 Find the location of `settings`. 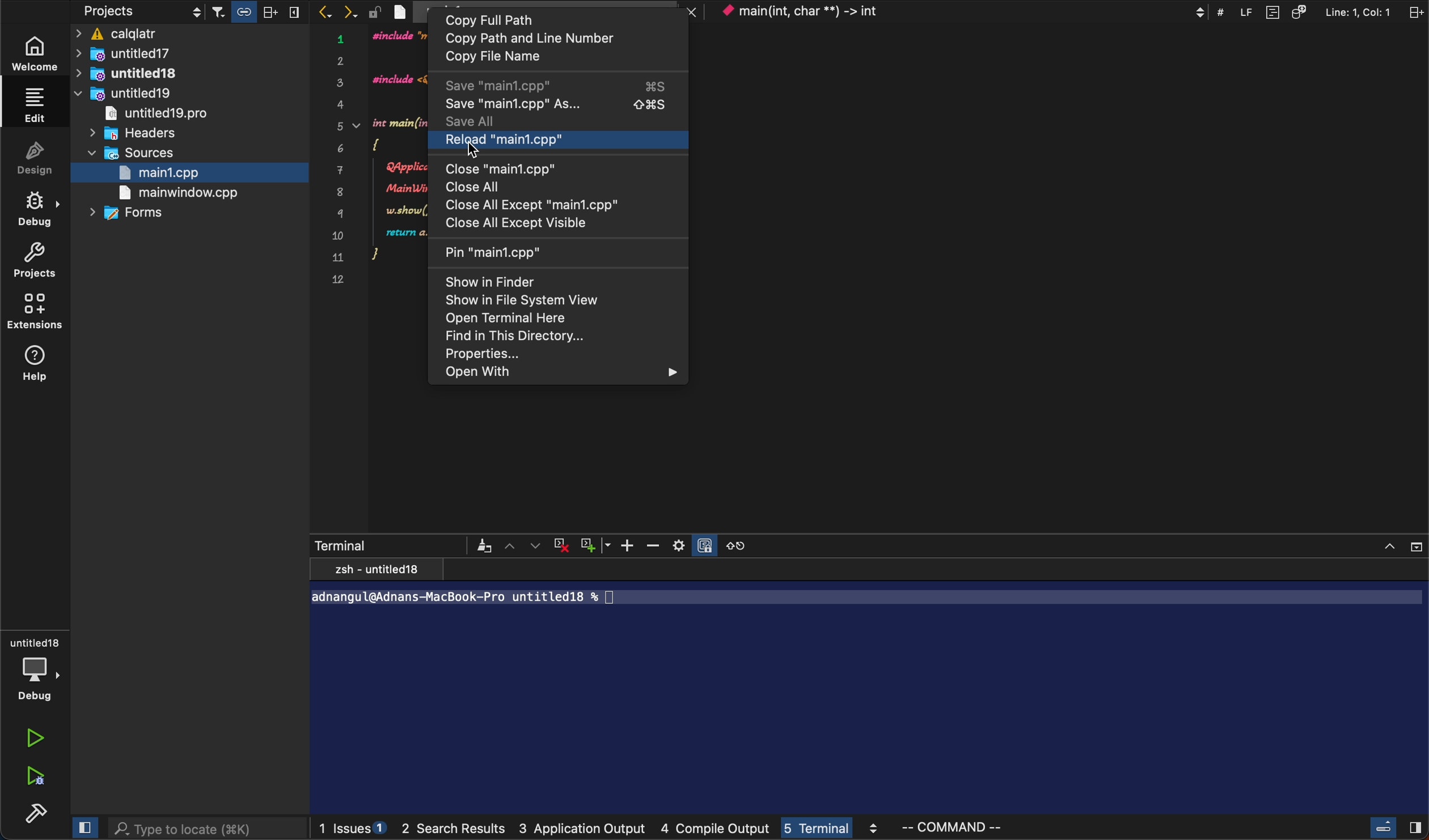

settings is located at coordinates (696, 545).